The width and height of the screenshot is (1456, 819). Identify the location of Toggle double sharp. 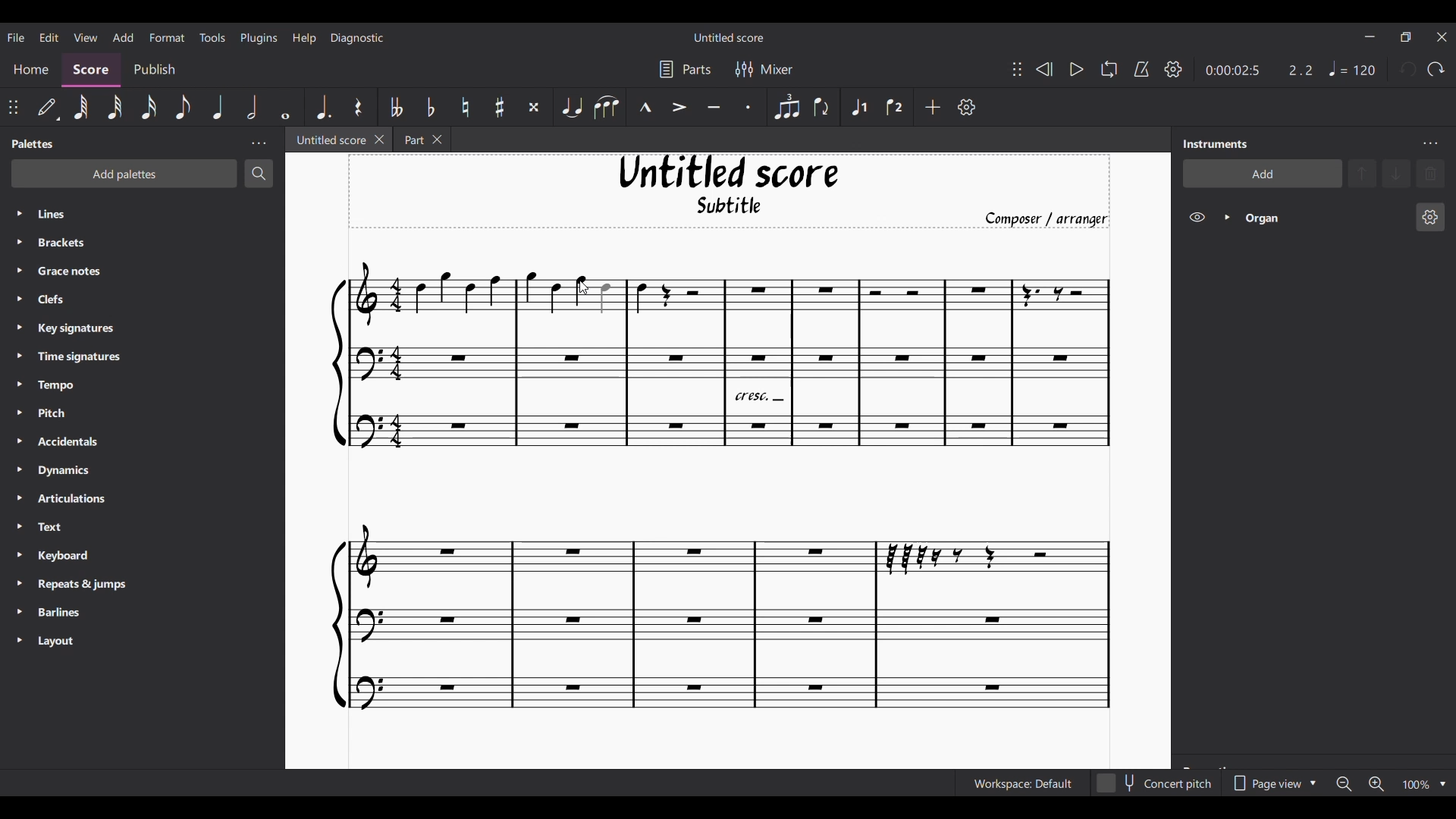
(534, 108).